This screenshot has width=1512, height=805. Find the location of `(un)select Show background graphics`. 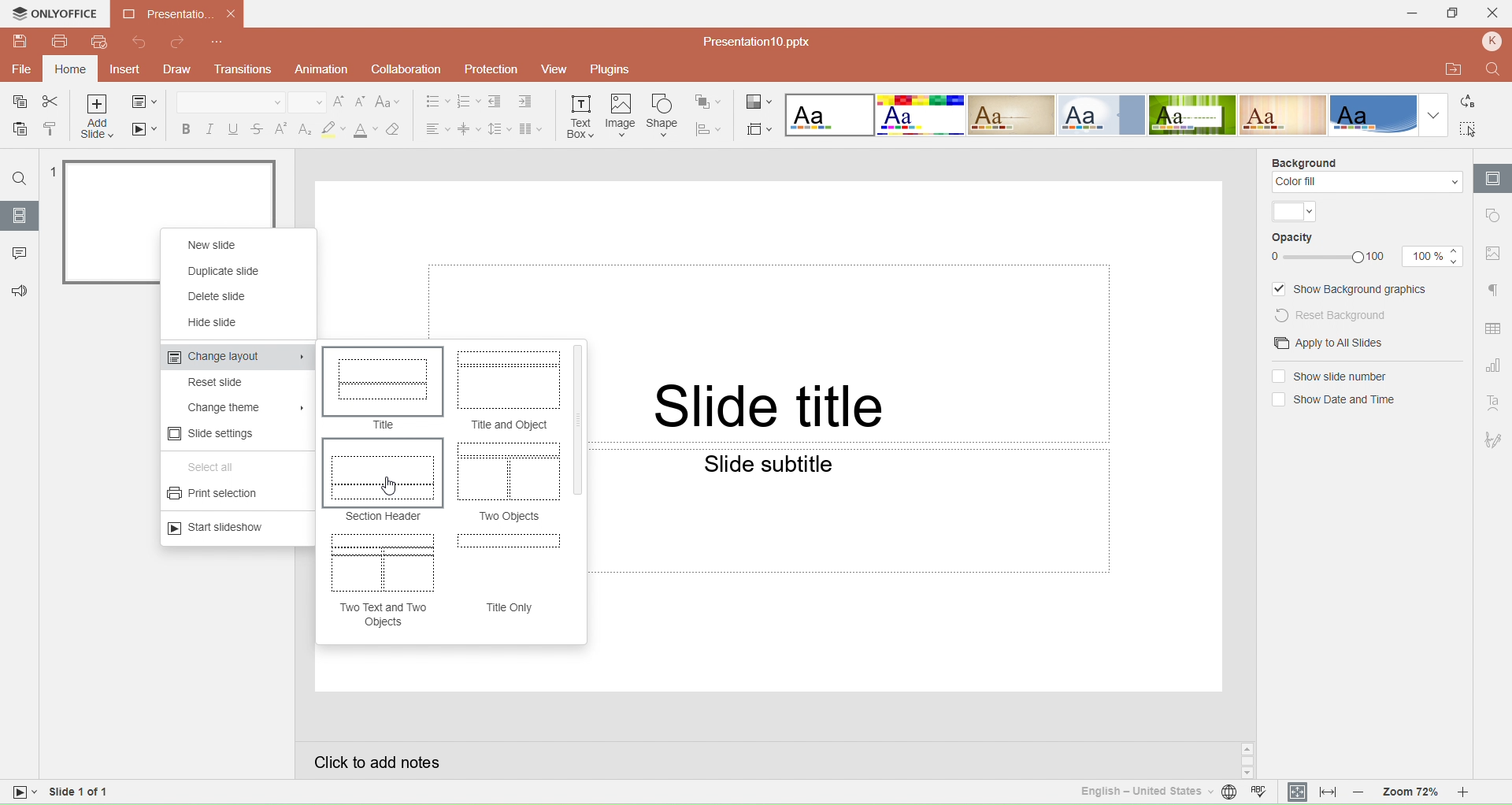

(un)select Show background graphics is located at coordinates (1352, 289).